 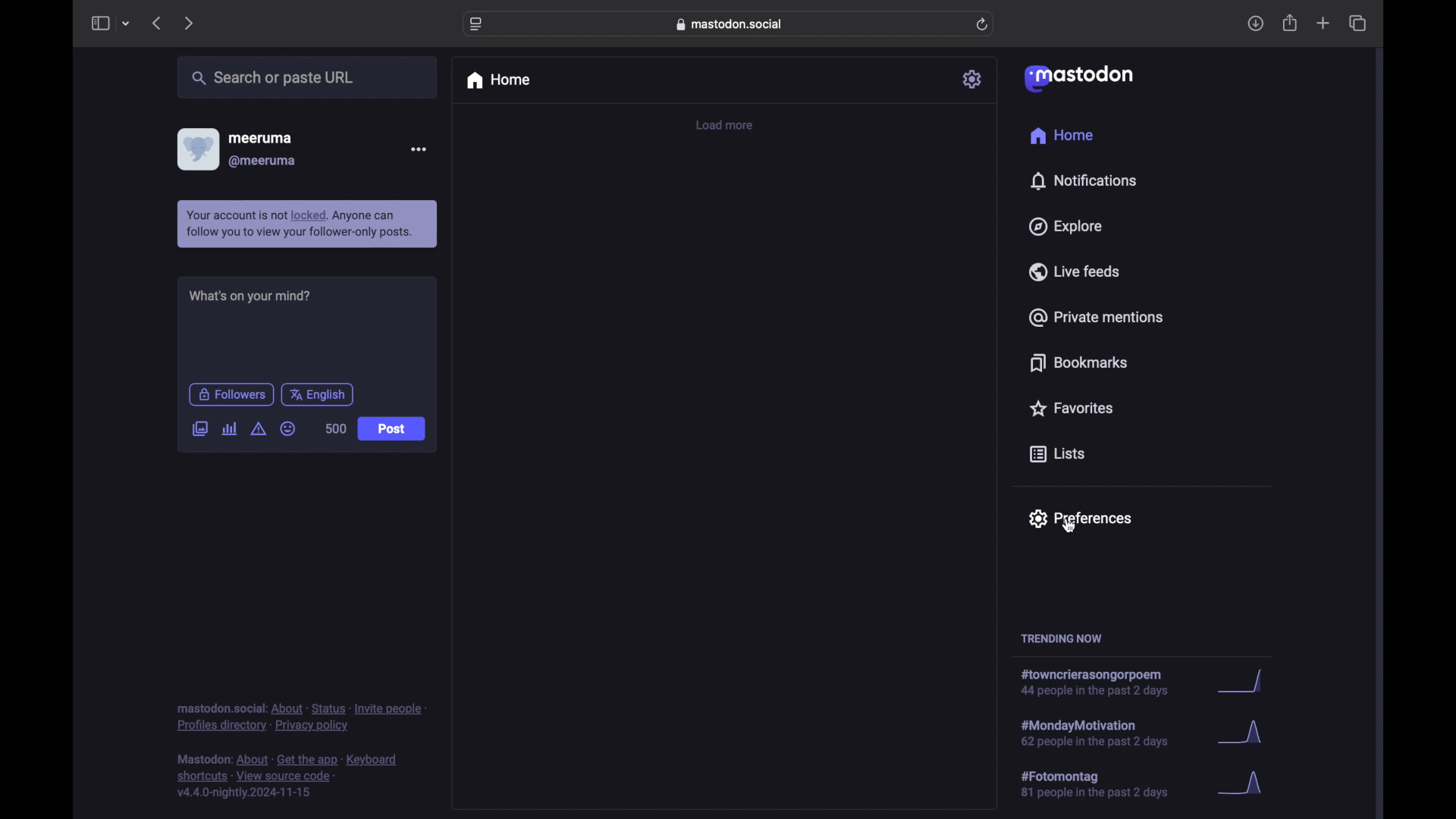 What do you see at coordinates (259, 428) in the screenshot?
I see `add content warning` at bounding box center [259, 428].